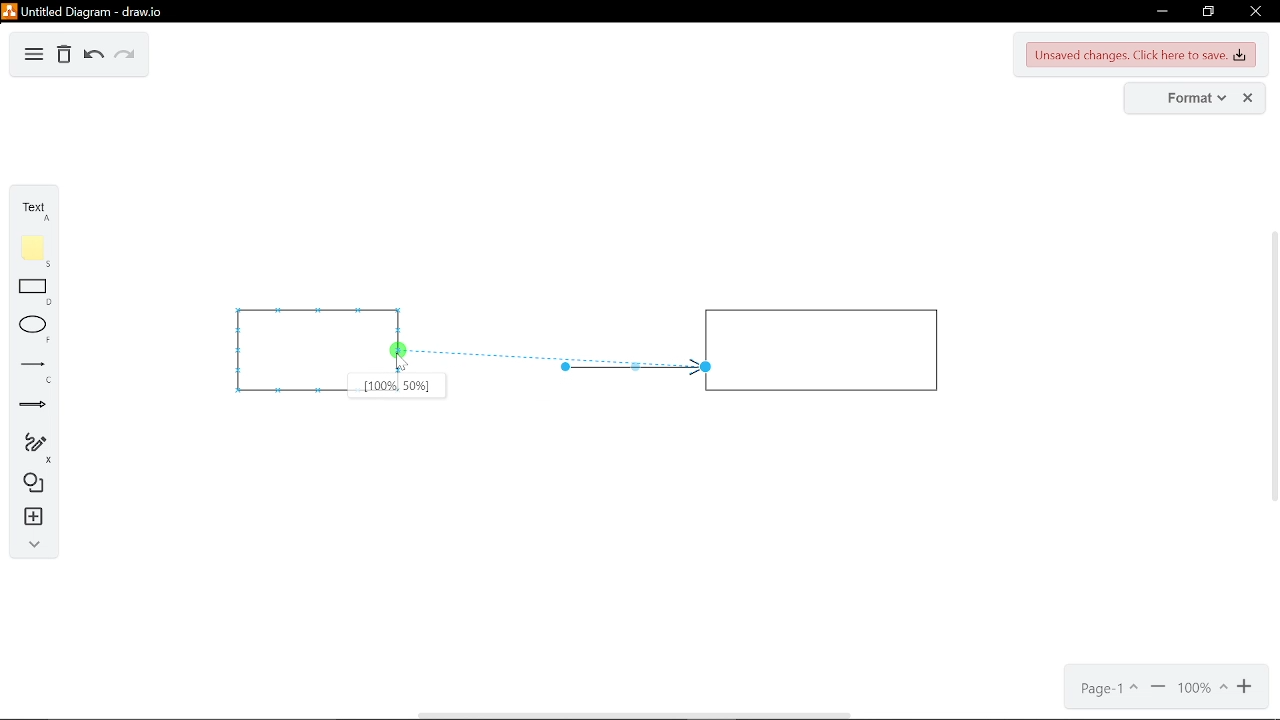 Image resolution: width=1280 pixels, height=720 pixels. I want to click on restore down, so click(1209, 12).